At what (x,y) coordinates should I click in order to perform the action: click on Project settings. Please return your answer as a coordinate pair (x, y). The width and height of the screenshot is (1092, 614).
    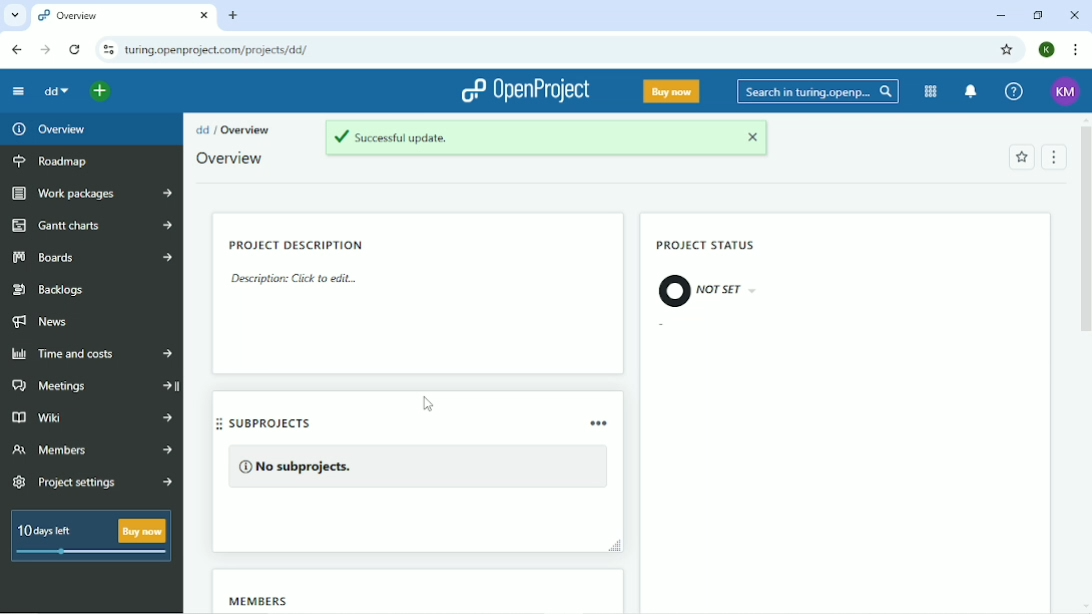
    Looking at the image, I should click on (93, 481).